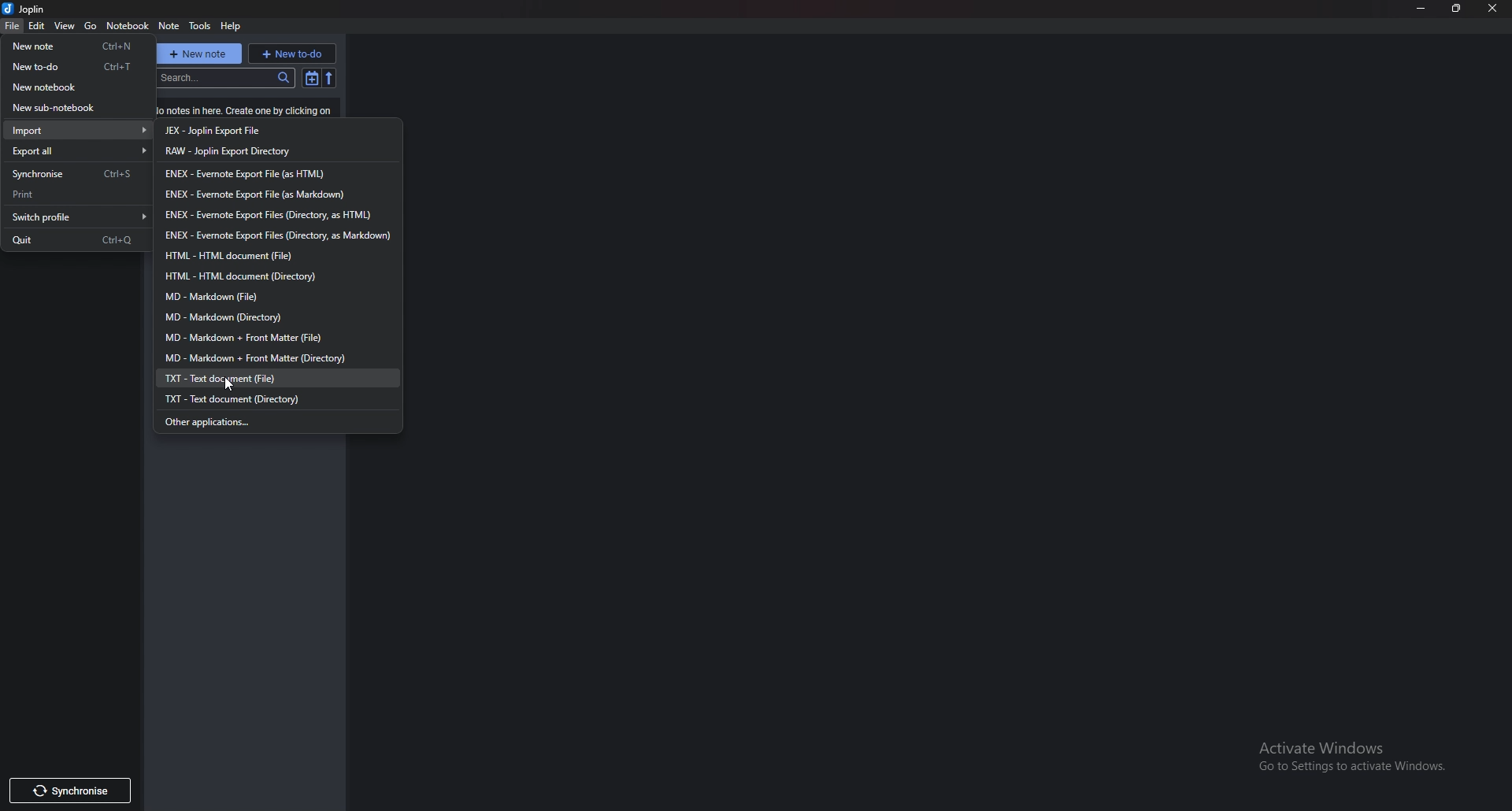  I want to click on Synchronize, so click(73, 176).